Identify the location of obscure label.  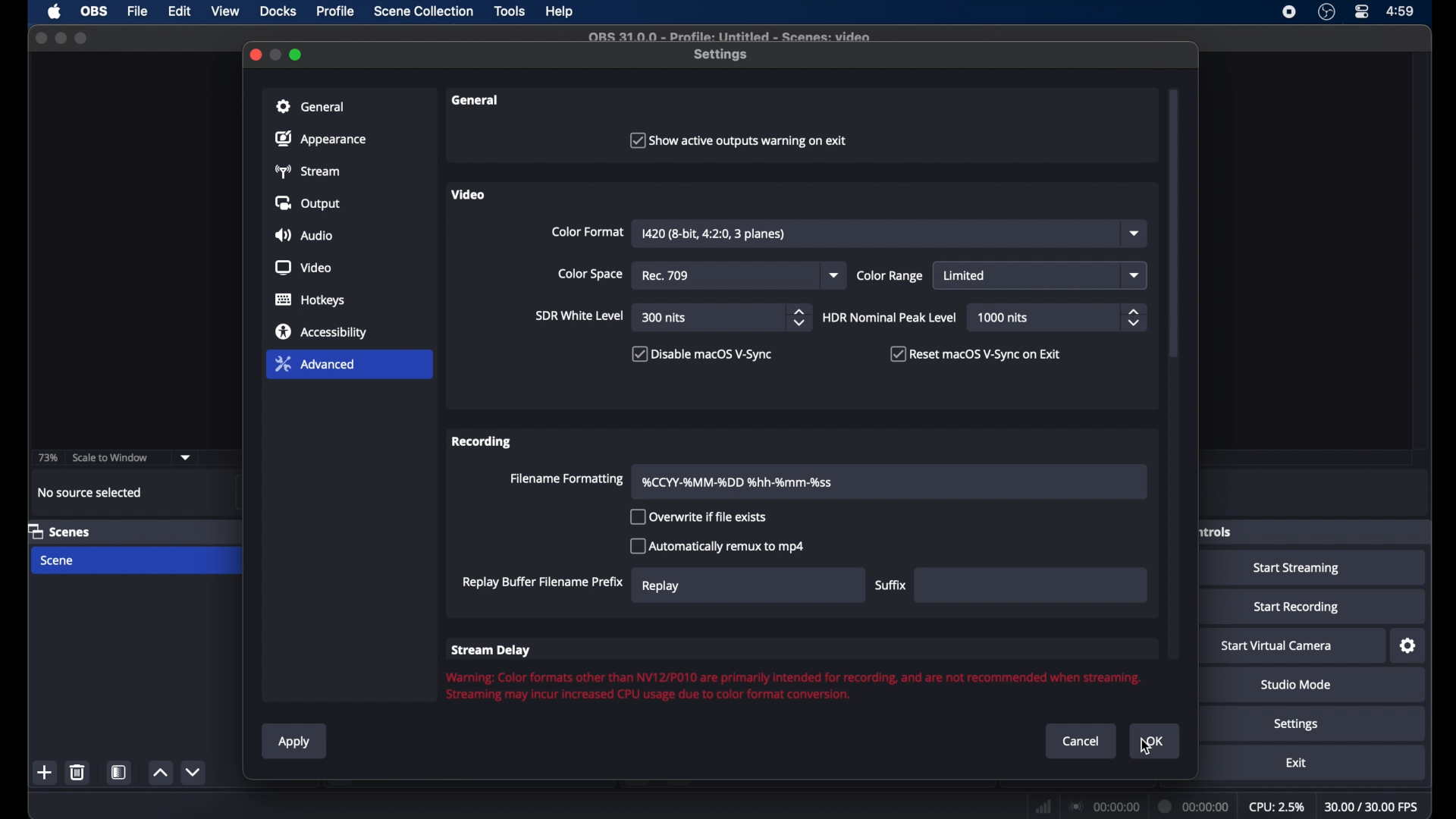
(1216, 532).